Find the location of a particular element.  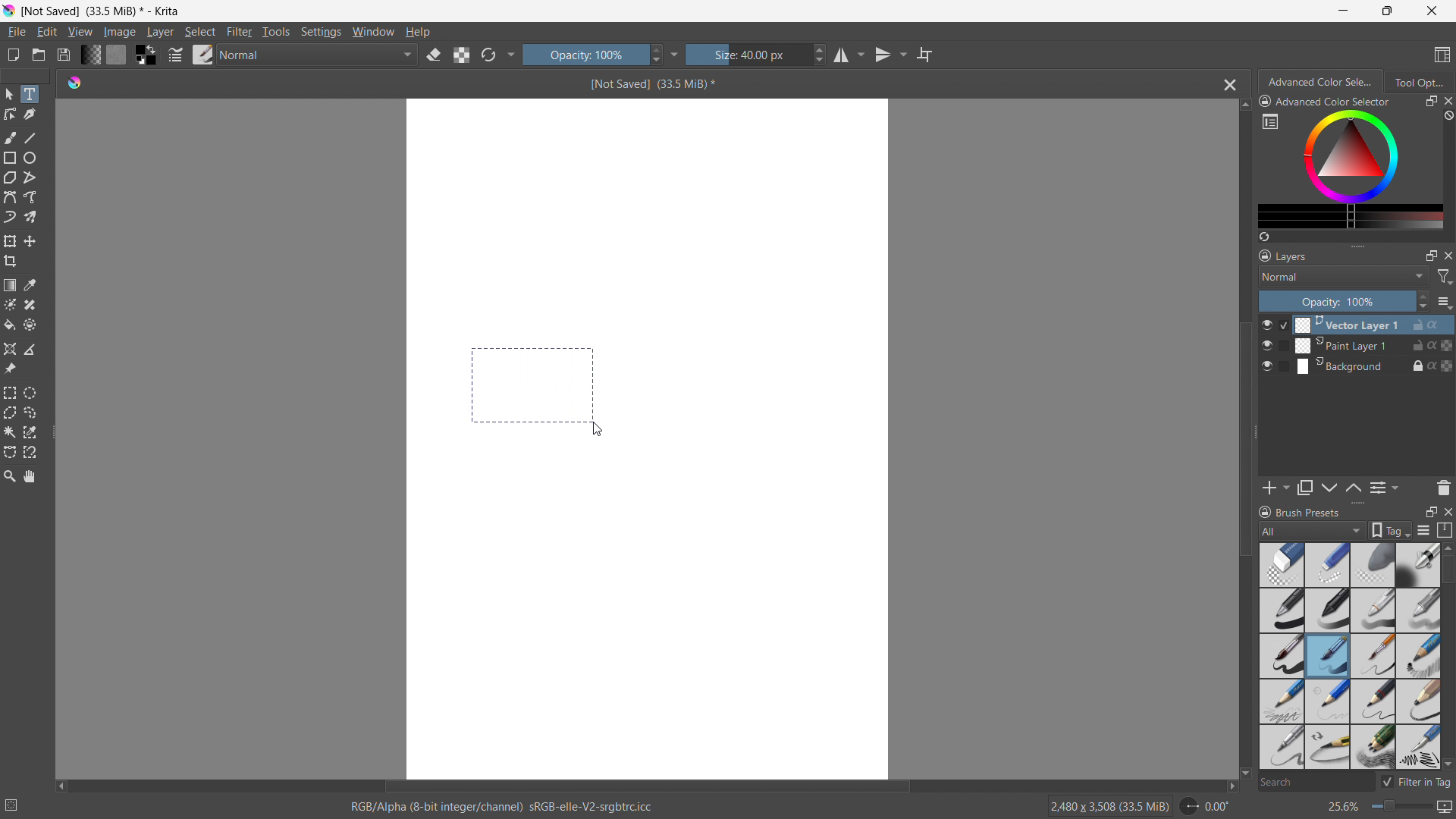

layer visibility toggle is located at coordinates (1267, 345).